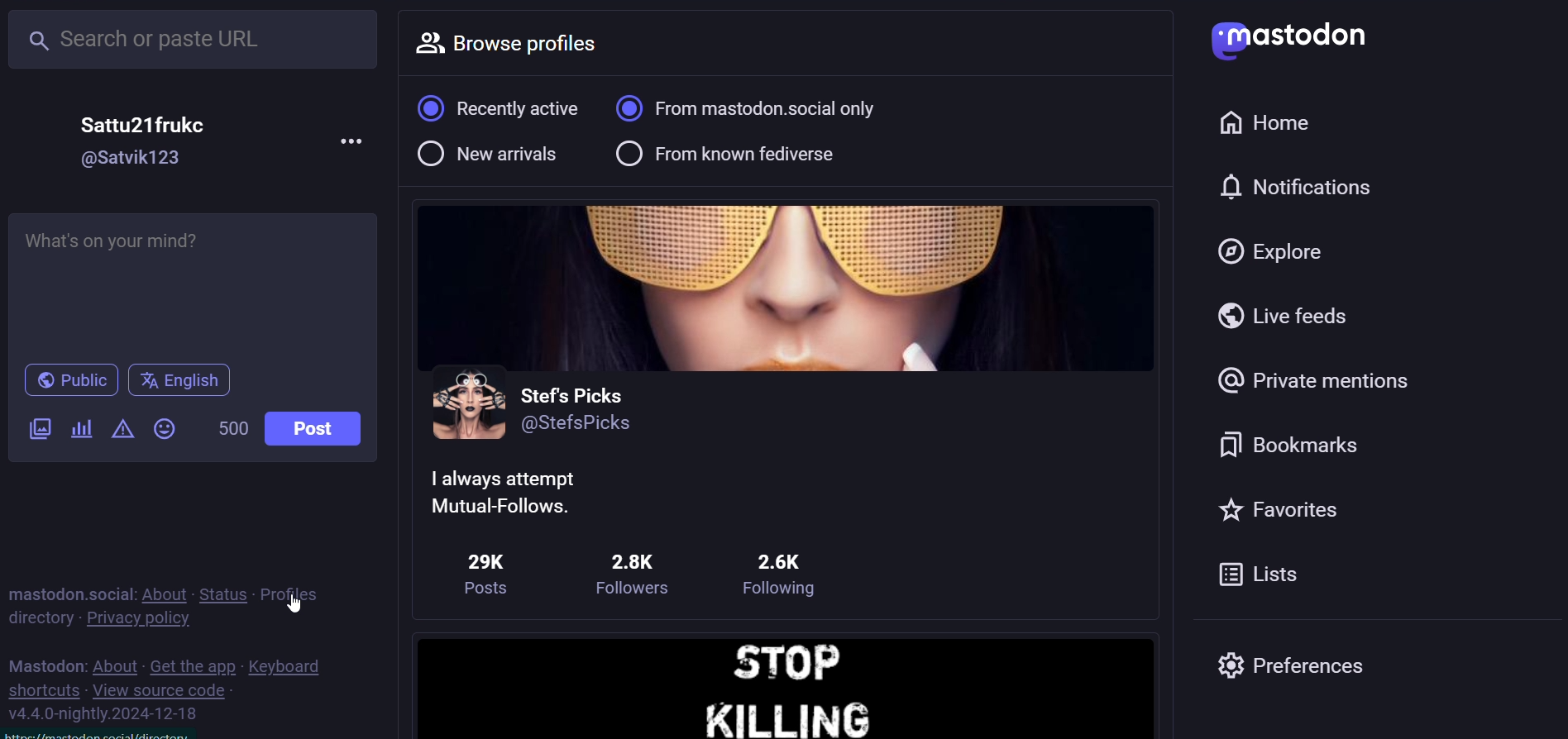  What do you see at coordinates (500, 108) in the screenshot?
I see `recently active` at bounding box center [500, 108].